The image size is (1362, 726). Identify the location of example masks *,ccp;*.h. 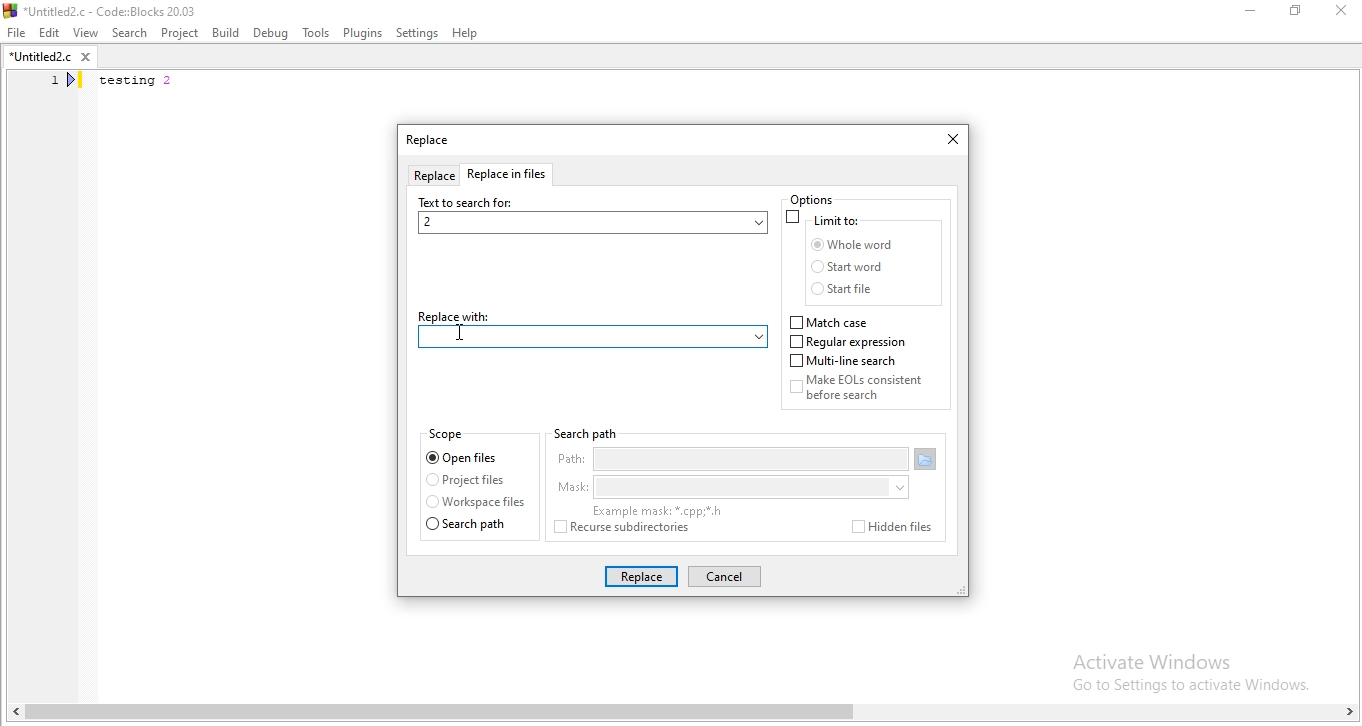
(656, 511).